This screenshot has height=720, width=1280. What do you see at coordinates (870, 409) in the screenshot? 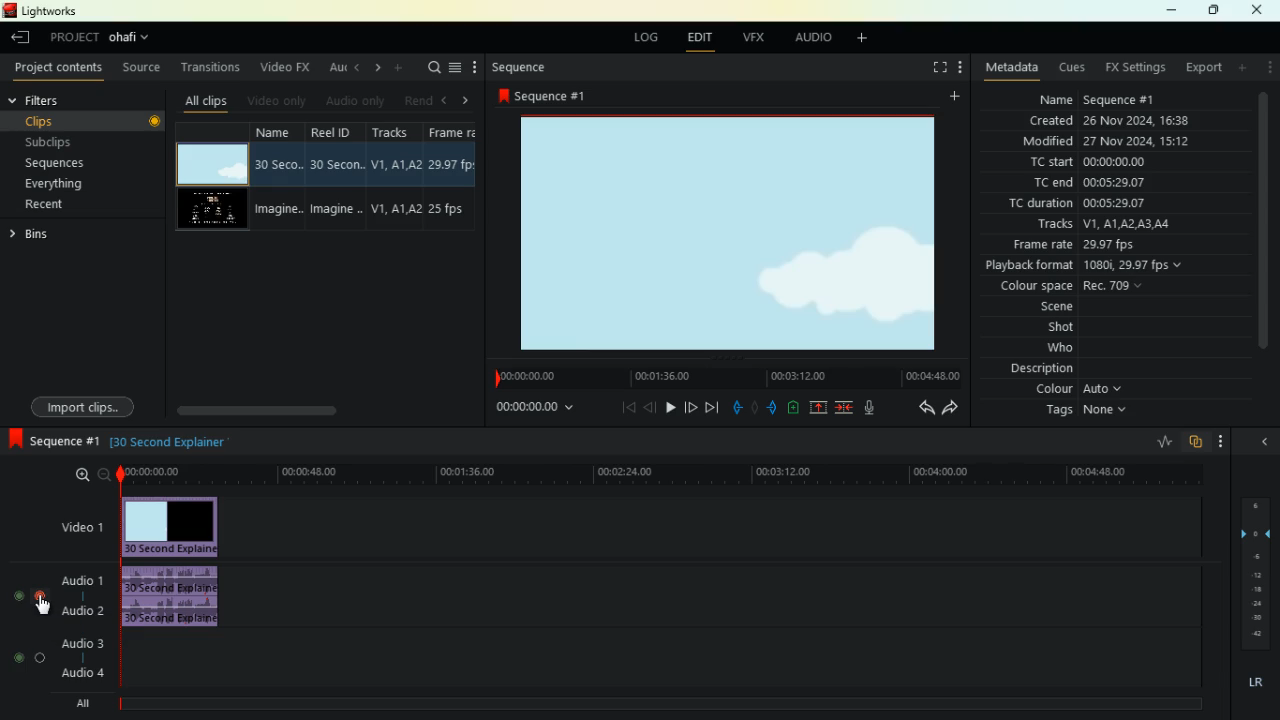
I see `mic` at bounding box center [870, 409].